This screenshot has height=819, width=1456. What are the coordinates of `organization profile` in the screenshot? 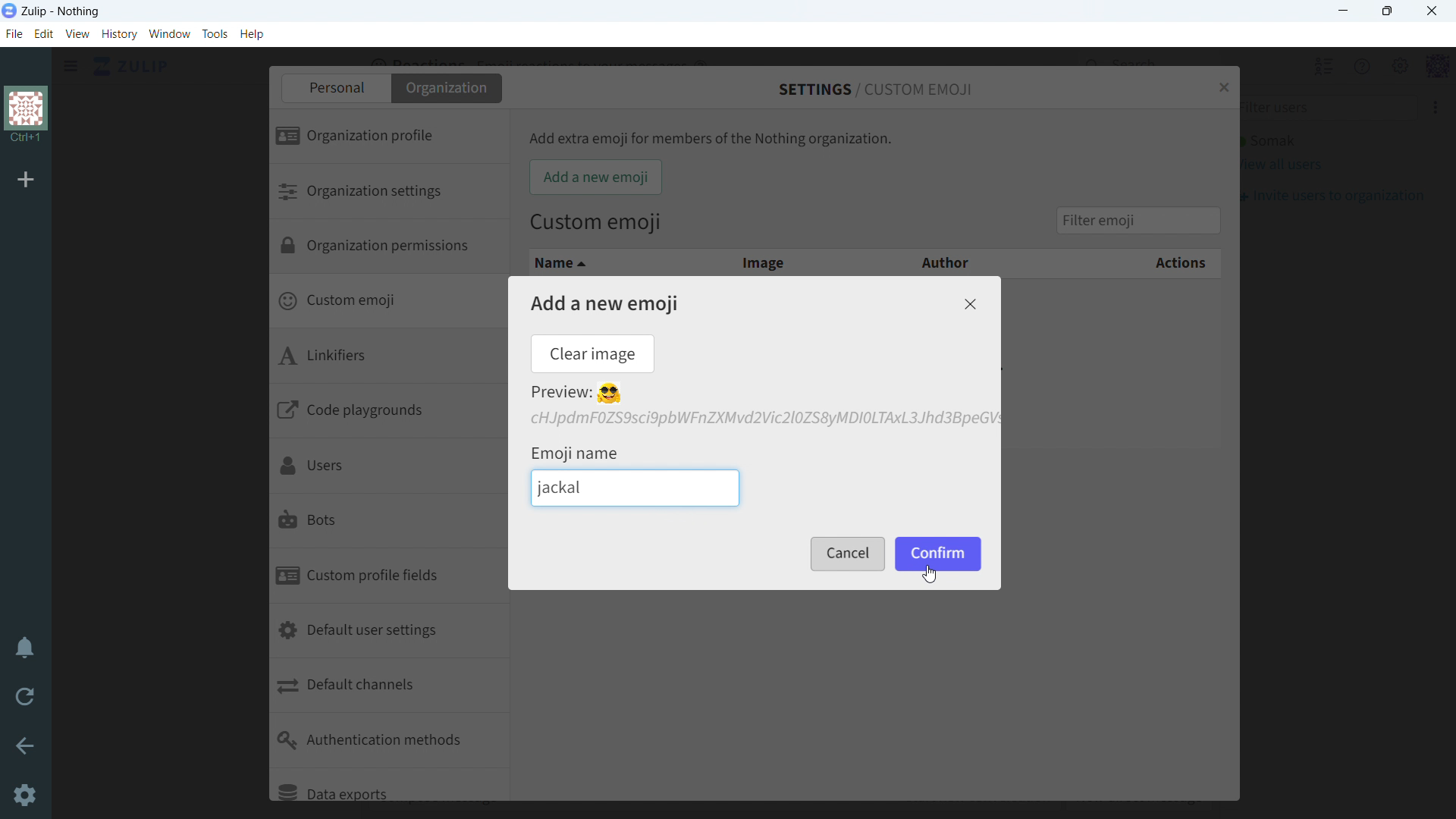 It's located at (388, 137).